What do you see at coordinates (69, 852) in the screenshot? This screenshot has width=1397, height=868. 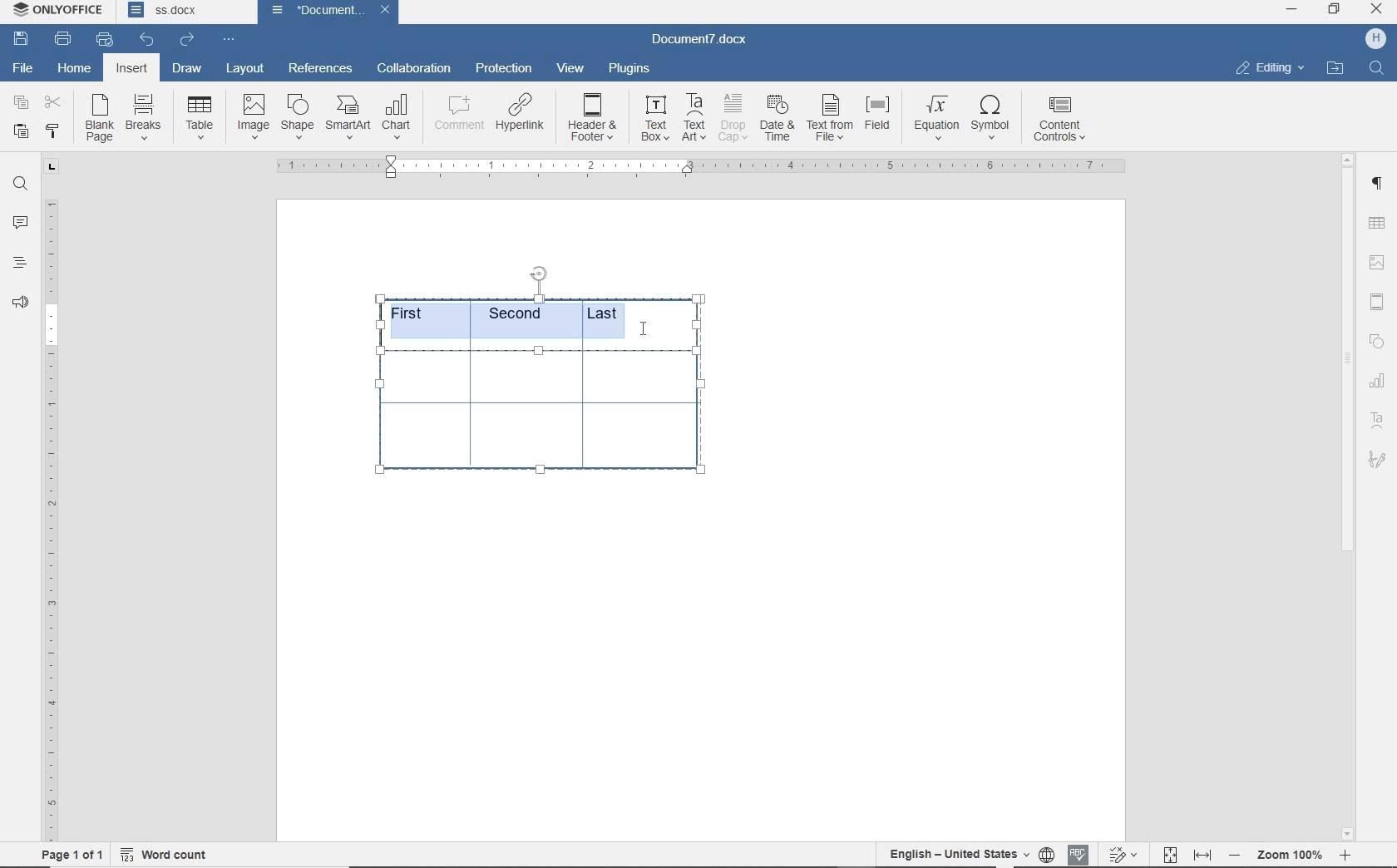 I see `page 1 of 1` at bounding box center [69, 852].